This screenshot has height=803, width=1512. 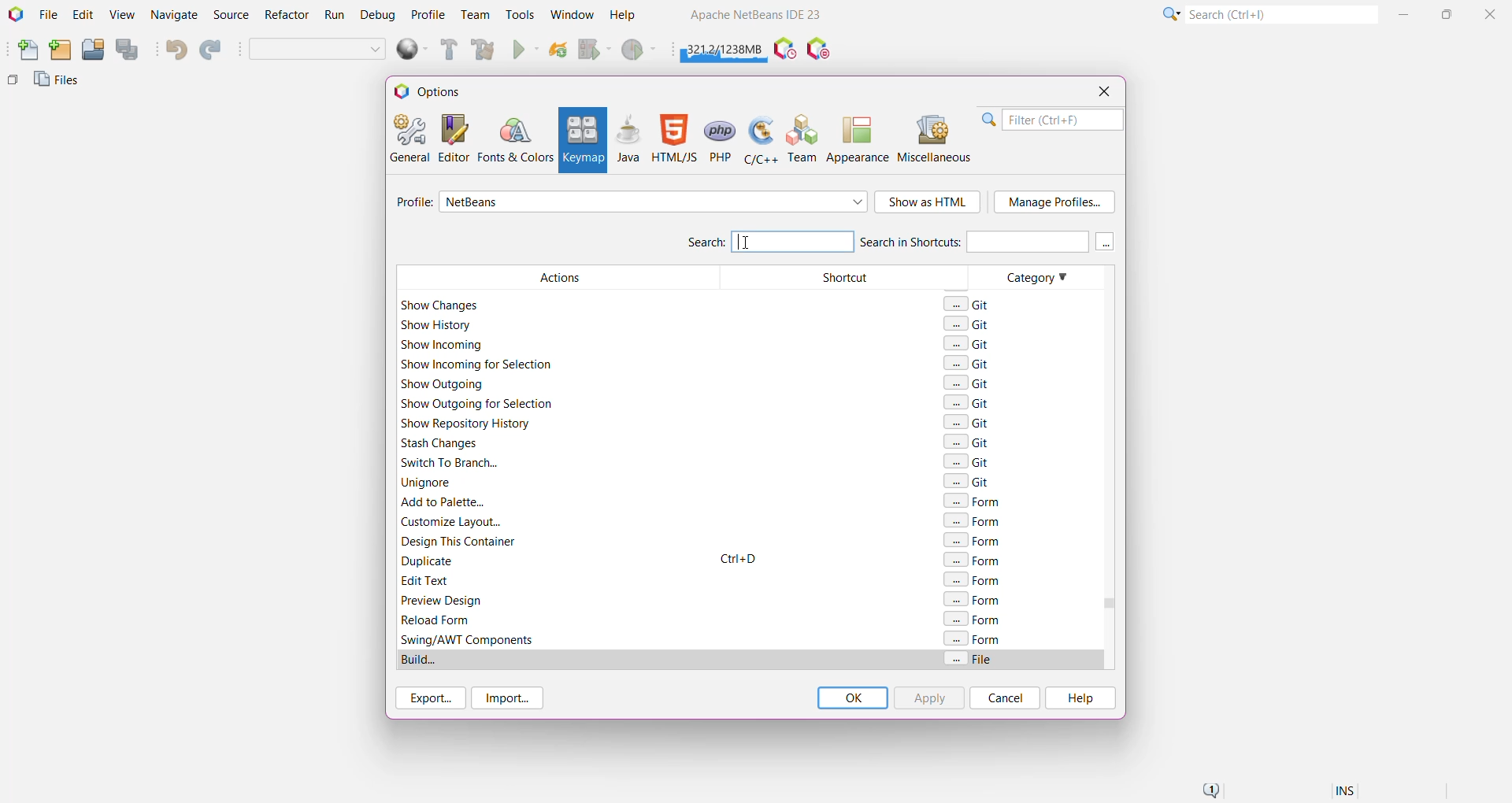 What do you see at coordinates (803, 139) in the screenshot?
I see `Team` at bounding box center [803, 139].